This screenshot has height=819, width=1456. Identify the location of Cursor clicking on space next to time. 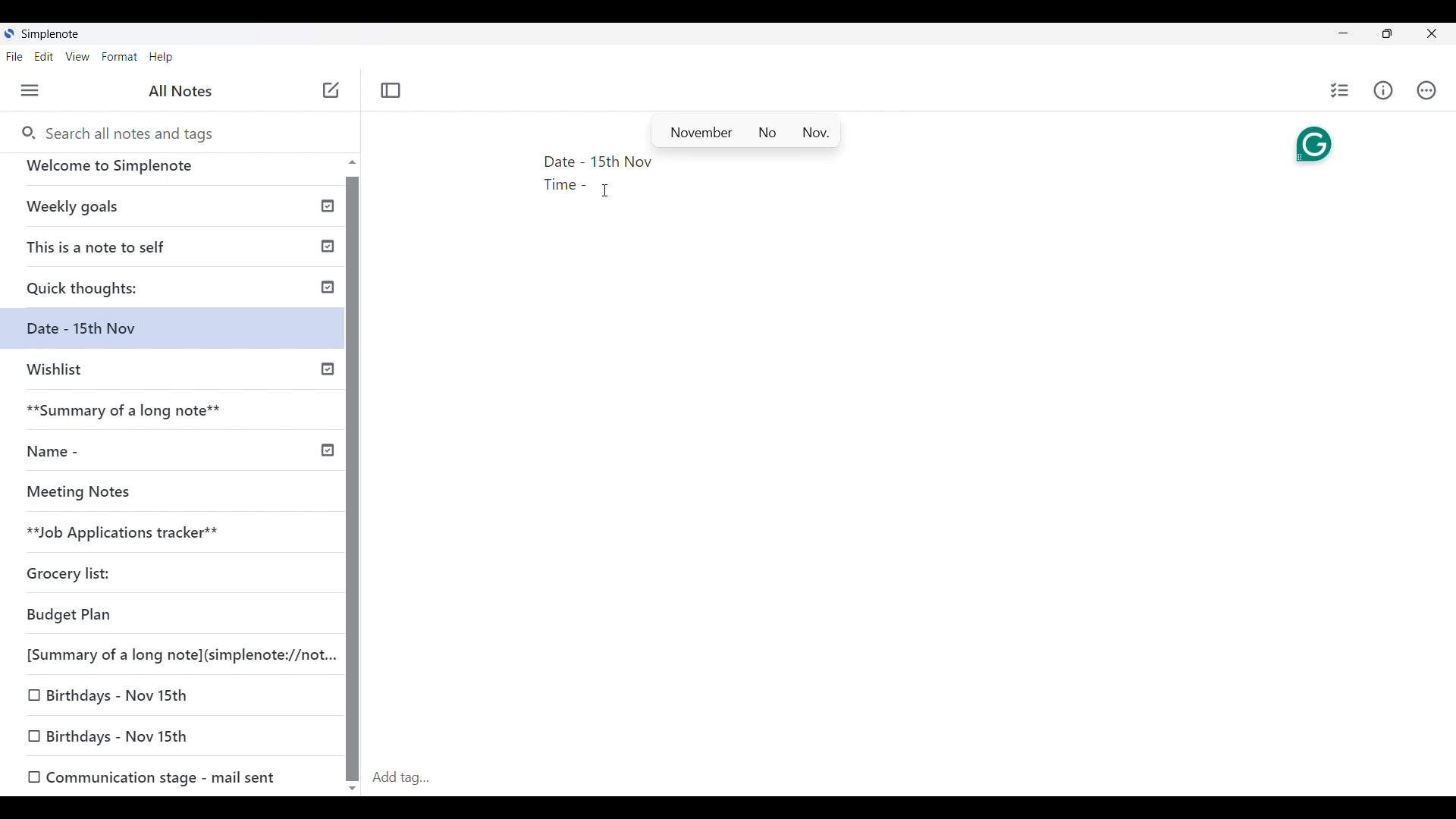
(605, 190).